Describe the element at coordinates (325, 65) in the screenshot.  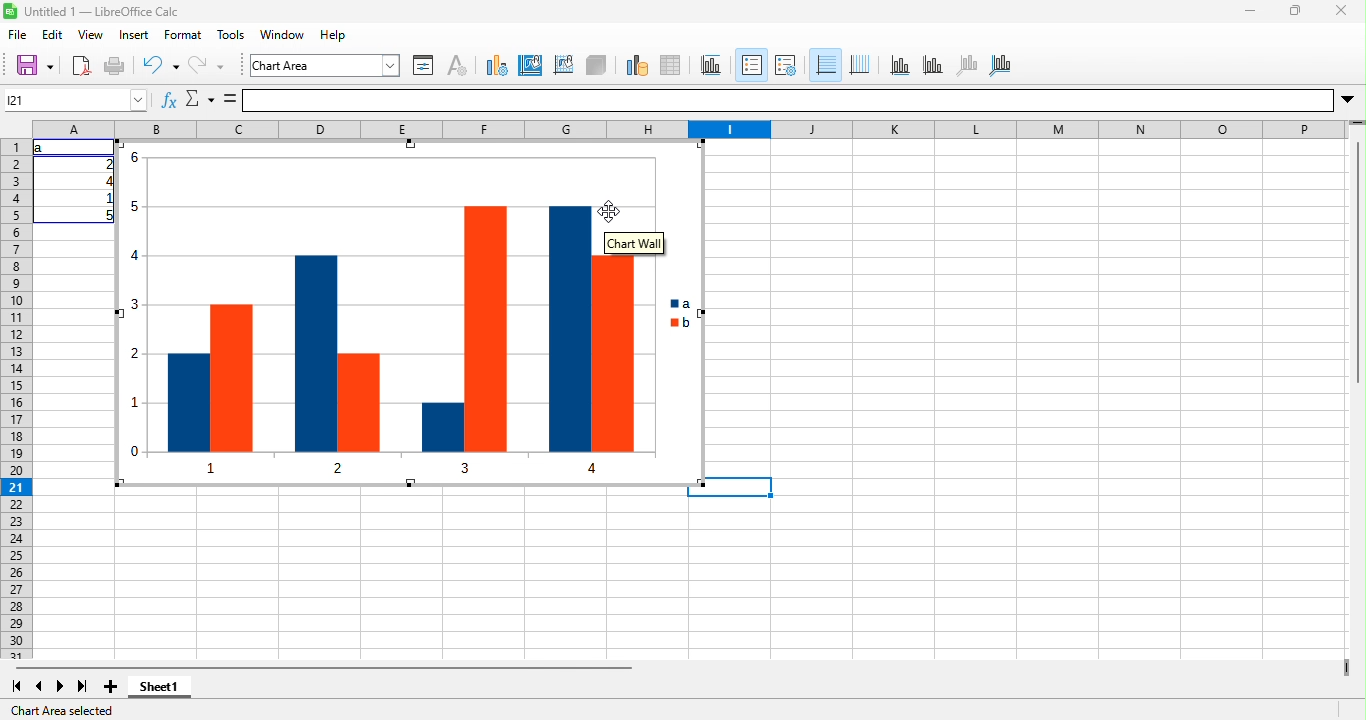
I see `chart area` at that location.